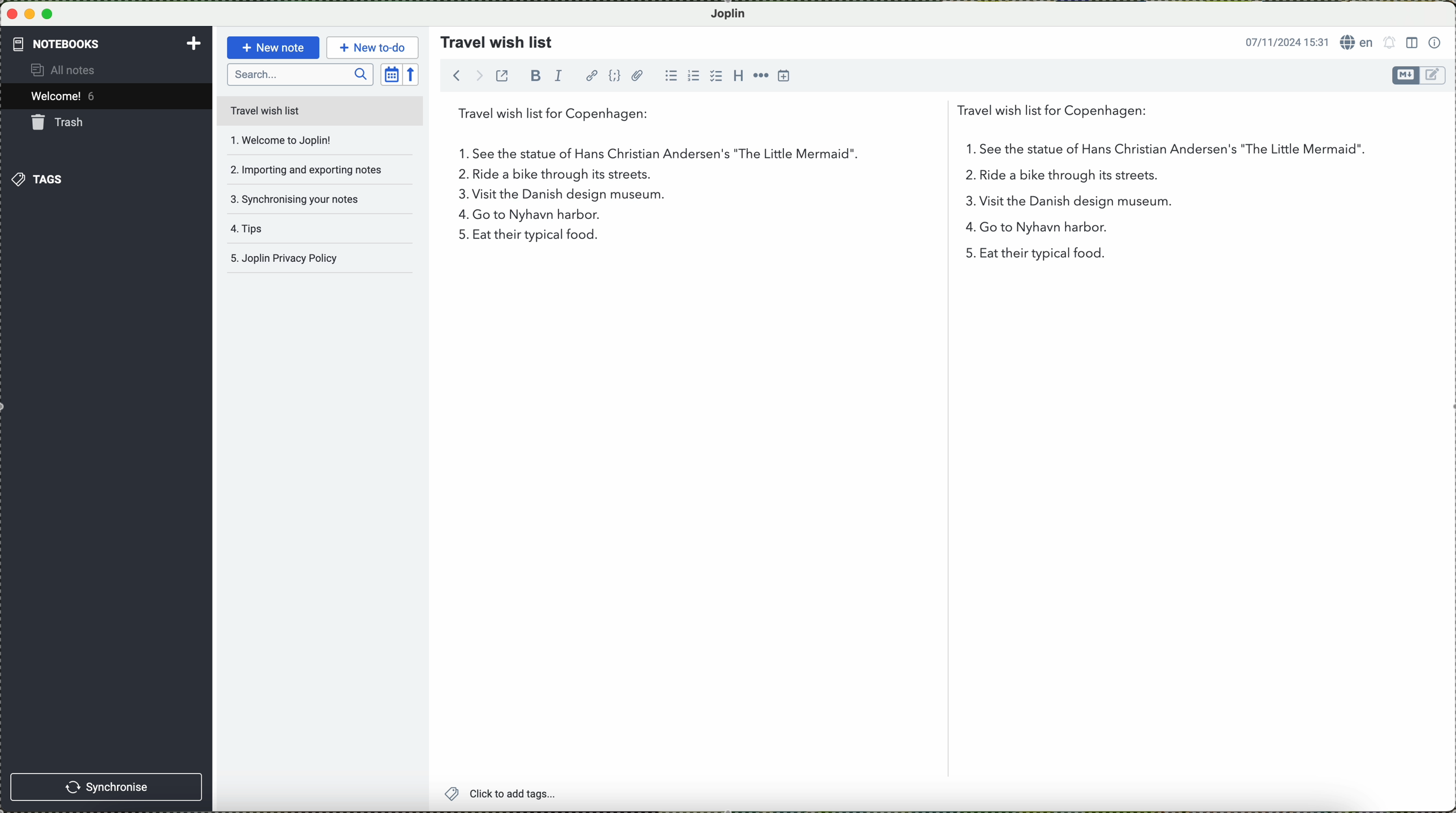 The height and width of the screenshot is (813, 1456). Describe the element at coordinates (899, 153) in the screenshot. I see `first point` at that location.